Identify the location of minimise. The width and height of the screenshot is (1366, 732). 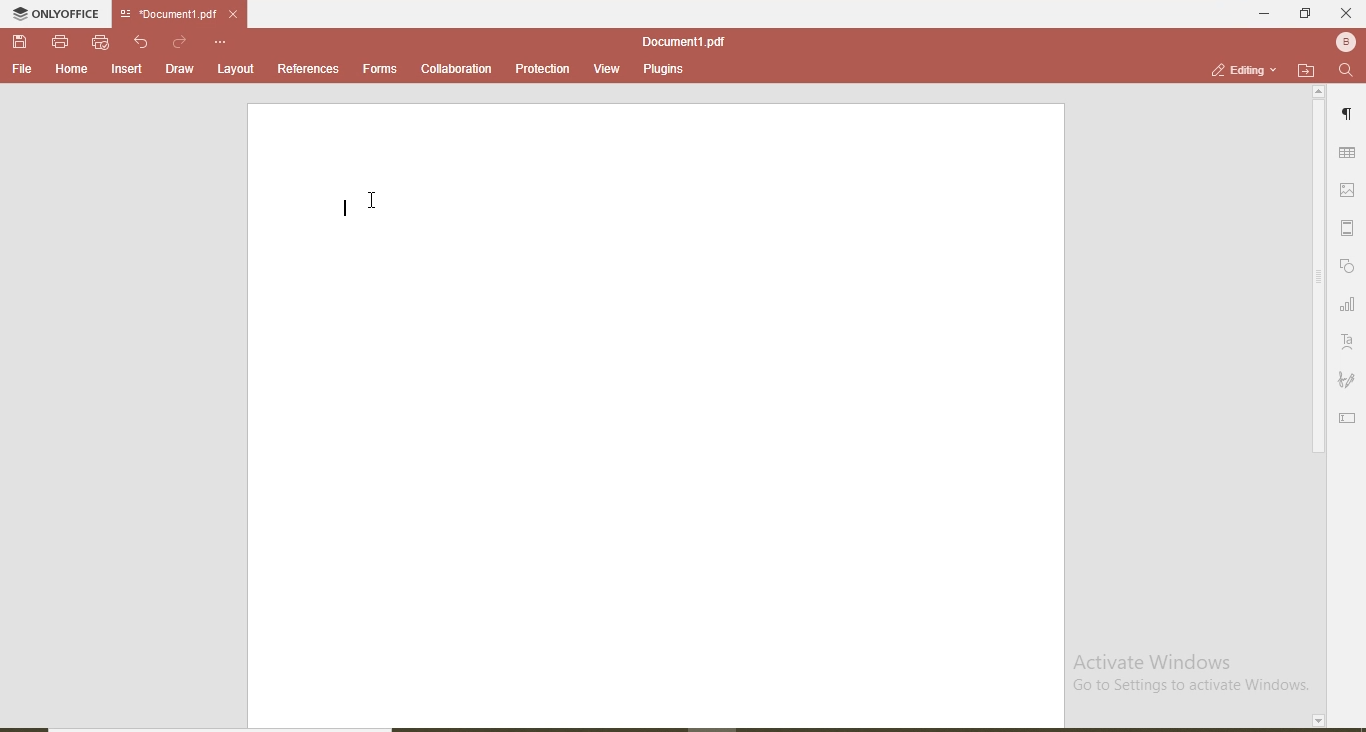
(1258, 12).